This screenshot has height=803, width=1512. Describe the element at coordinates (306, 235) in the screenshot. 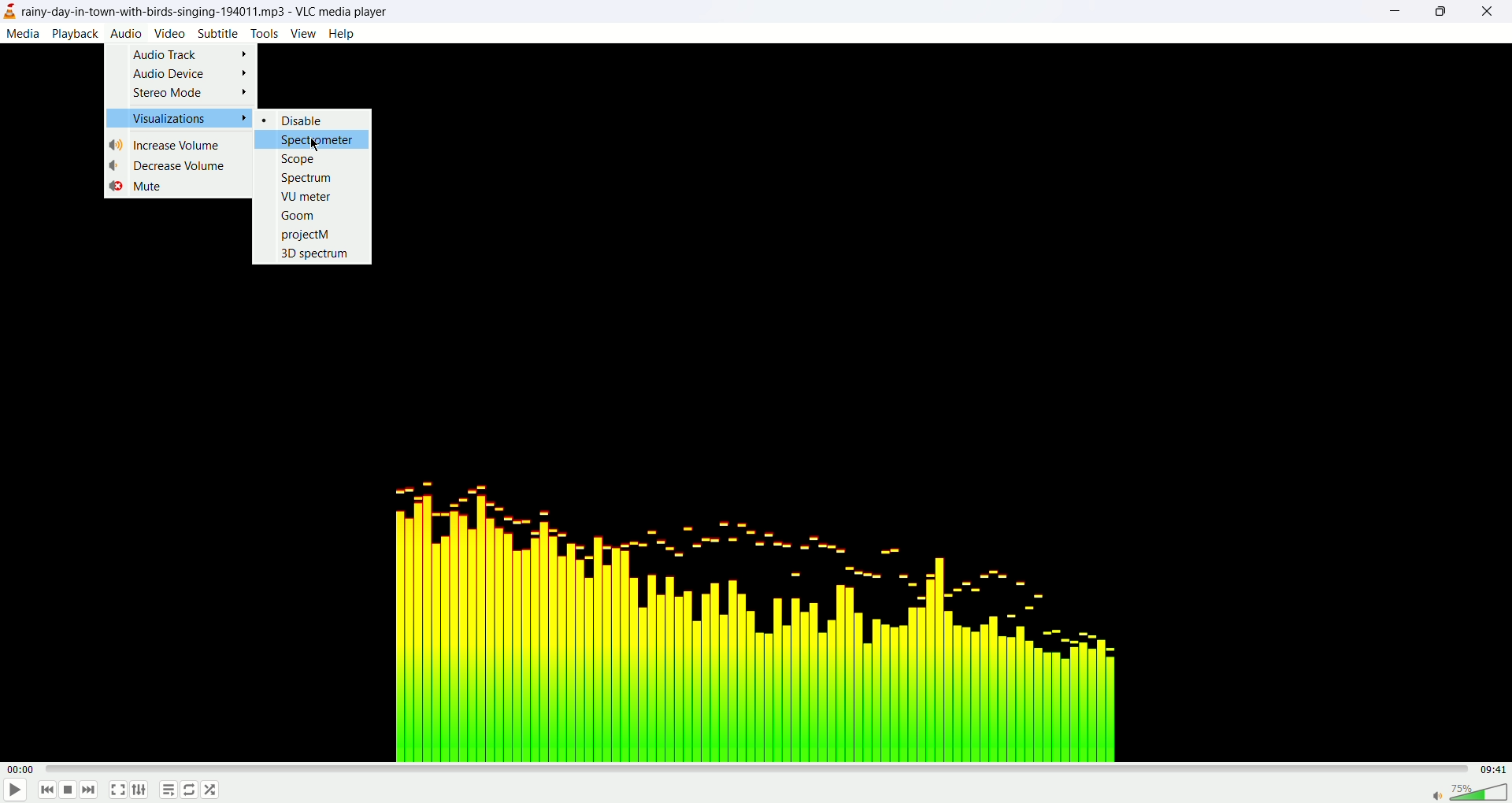

I see `projectM` at that location.